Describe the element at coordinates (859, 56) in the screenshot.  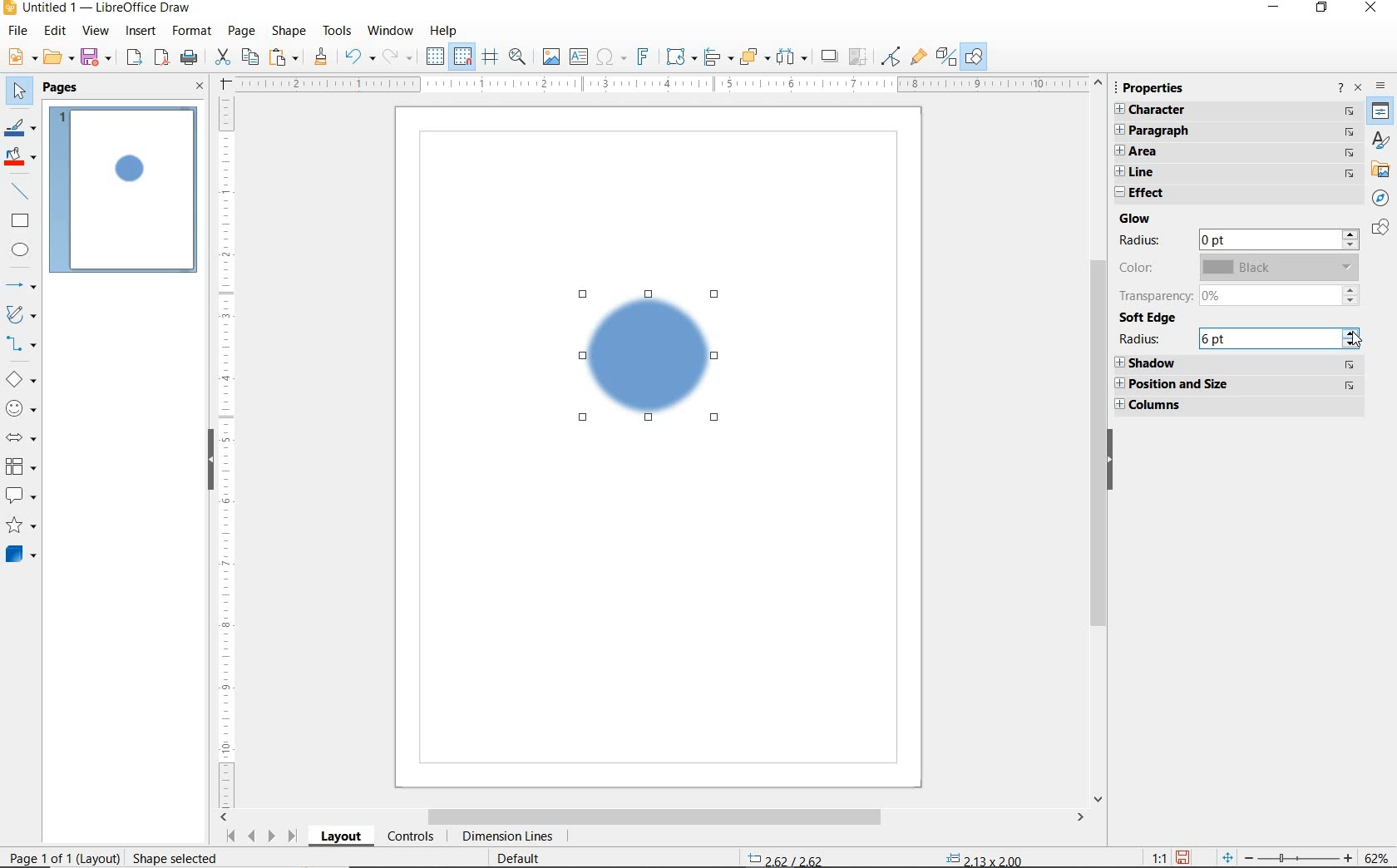
I see `CROP IMAGE` at that location.